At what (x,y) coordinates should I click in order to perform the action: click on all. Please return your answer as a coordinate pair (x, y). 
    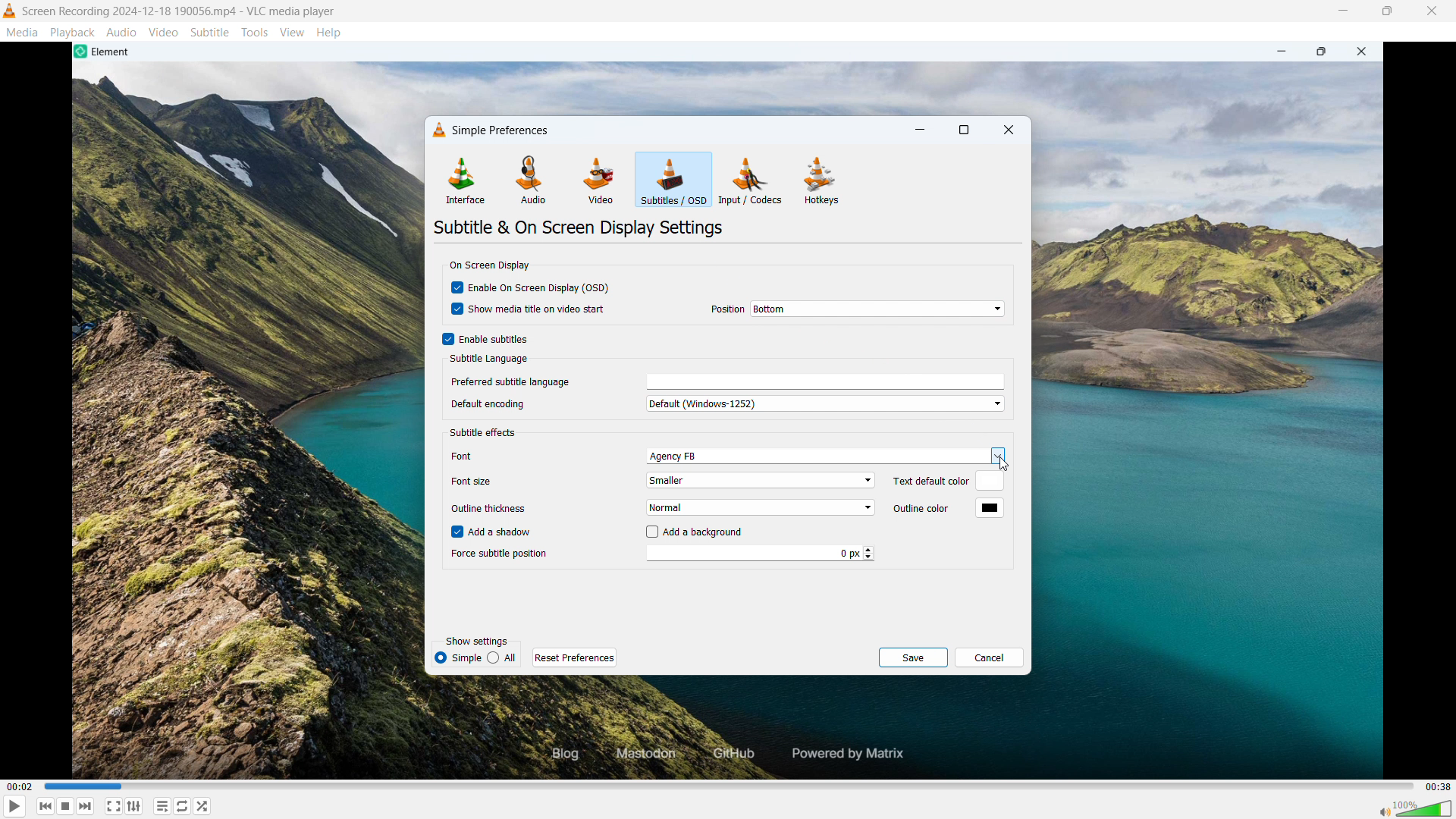
    Looking at the image, I should click on (457, 658).